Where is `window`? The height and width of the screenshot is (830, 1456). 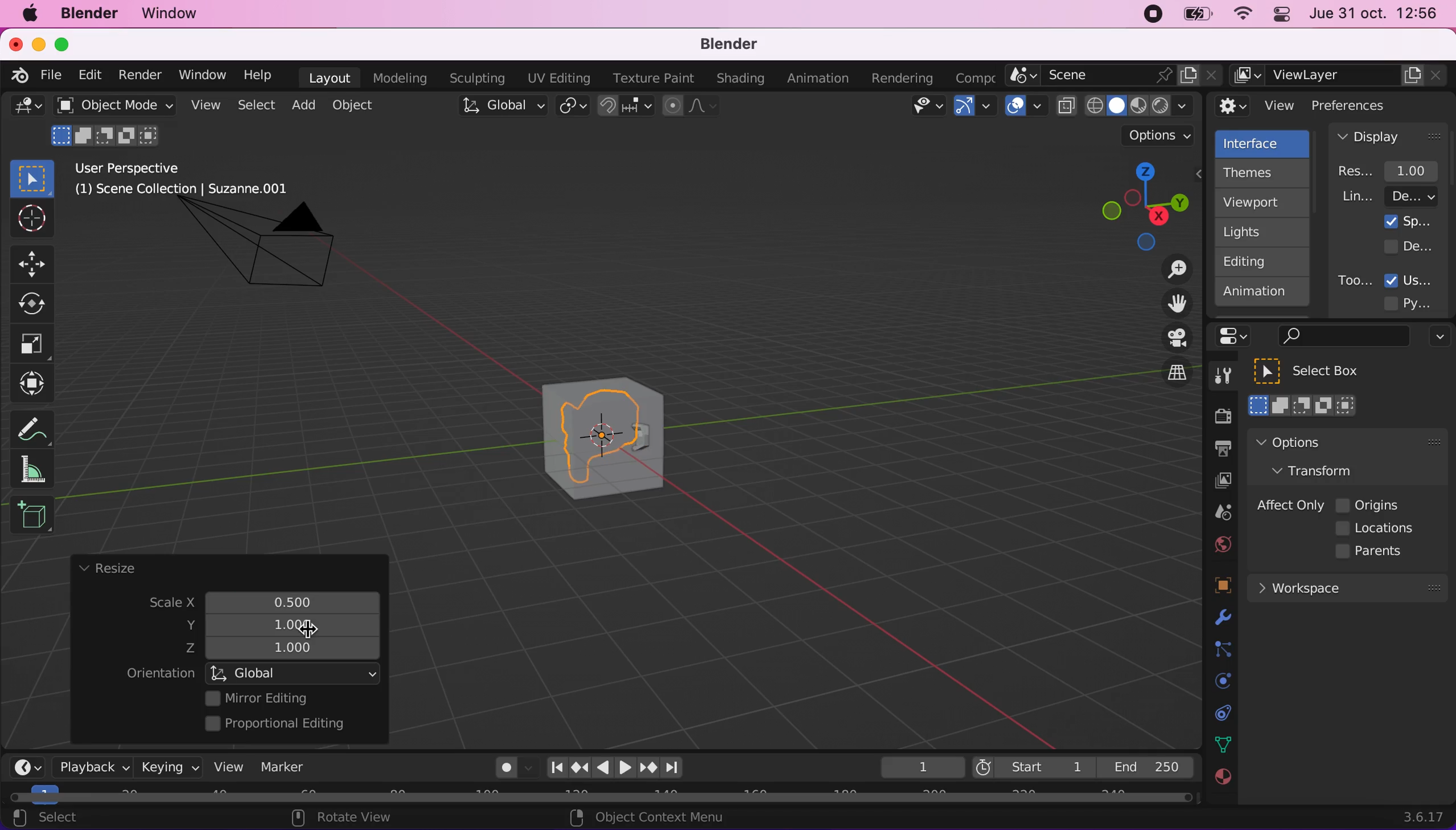 window is located at coordinates (201, 75).